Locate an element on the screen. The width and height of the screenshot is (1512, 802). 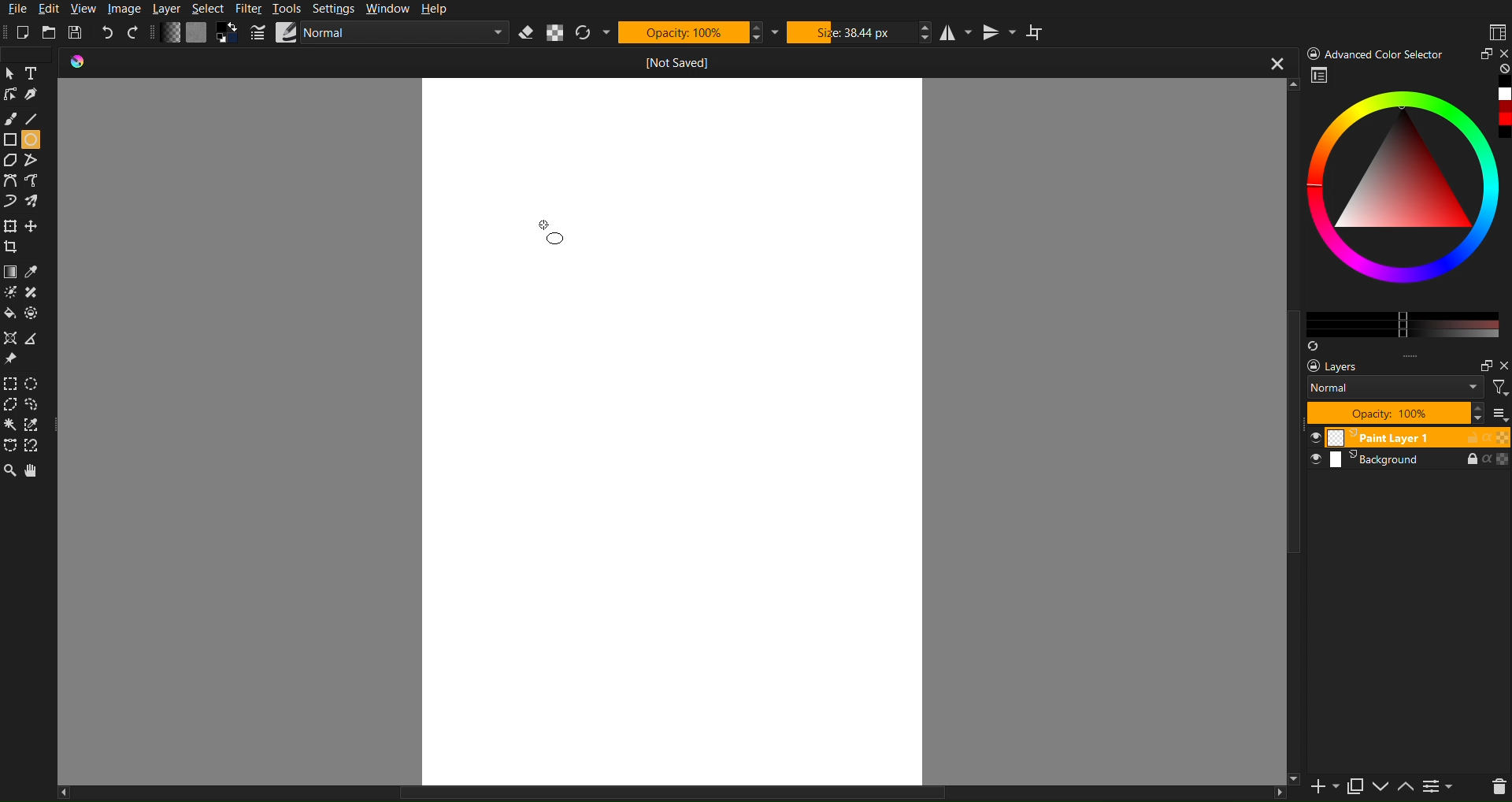
Free shape is located at coordinates (11, 446).